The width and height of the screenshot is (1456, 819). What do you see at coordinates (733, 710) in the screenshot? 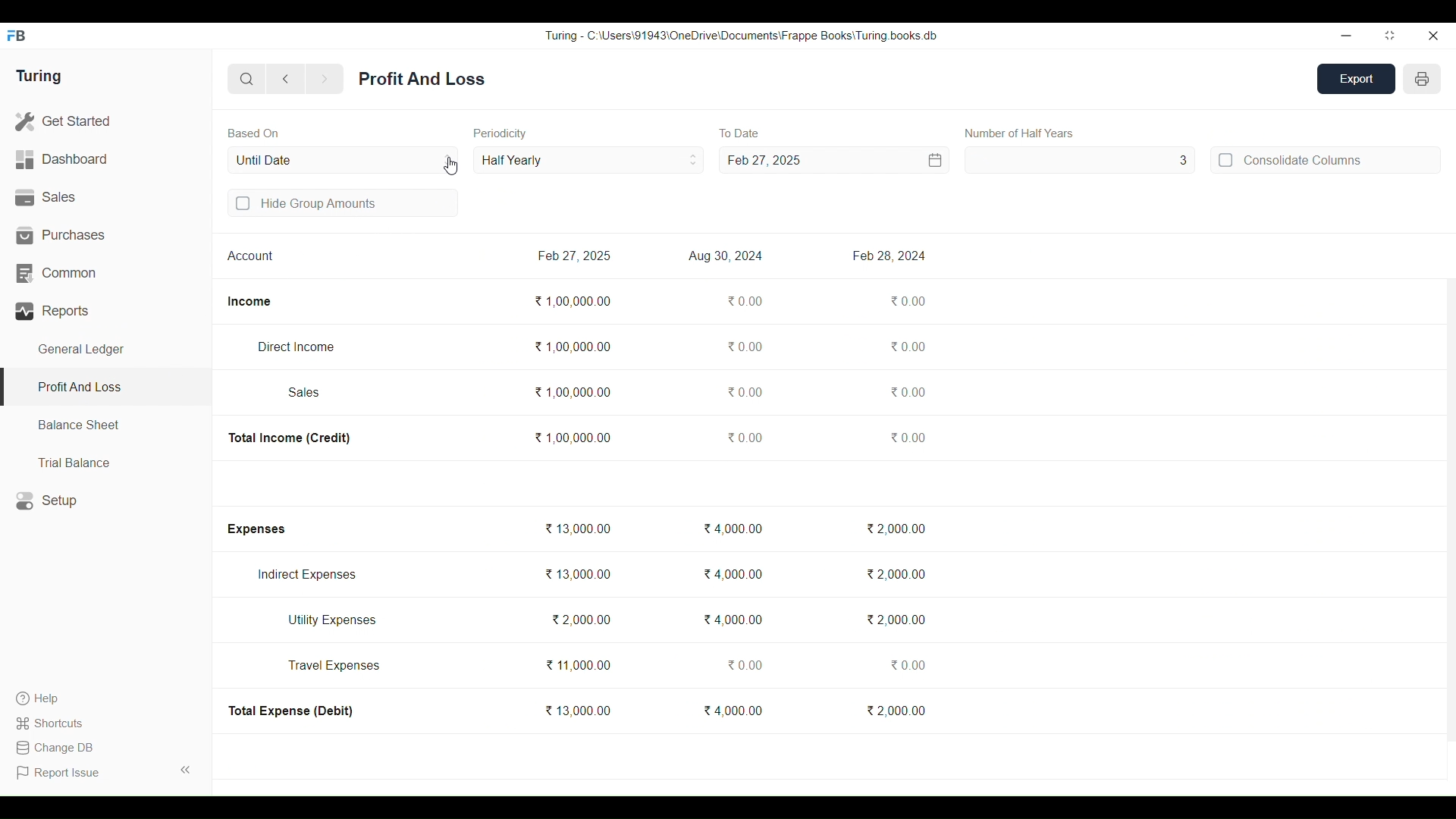
I see `4,000.00` at bounding box center [733, 710].